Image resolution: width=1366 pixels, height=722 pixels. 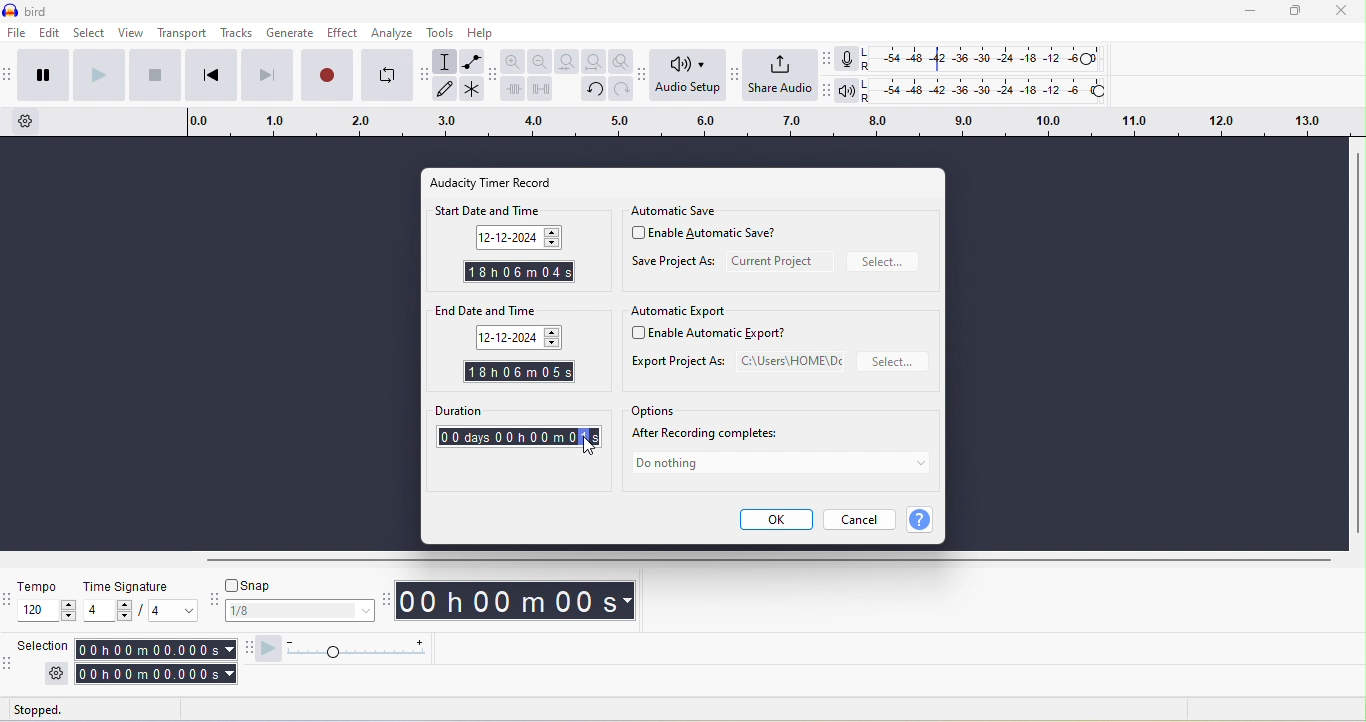 I want to click on audacity edit toolbar, so click(x=494, y=76).